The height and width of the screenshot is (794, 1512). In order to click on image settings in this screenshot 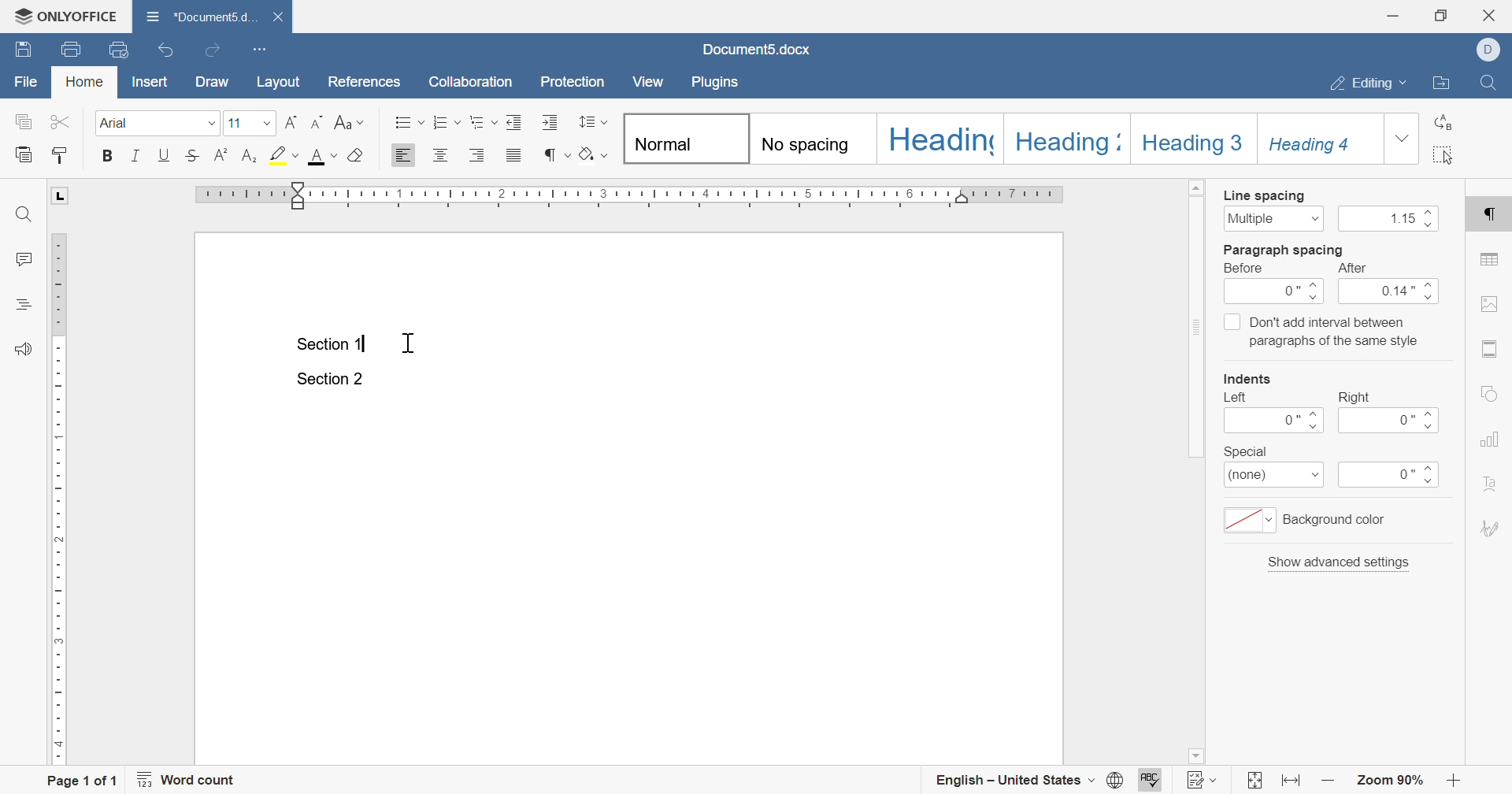, I will do `click(1488, 303)`.